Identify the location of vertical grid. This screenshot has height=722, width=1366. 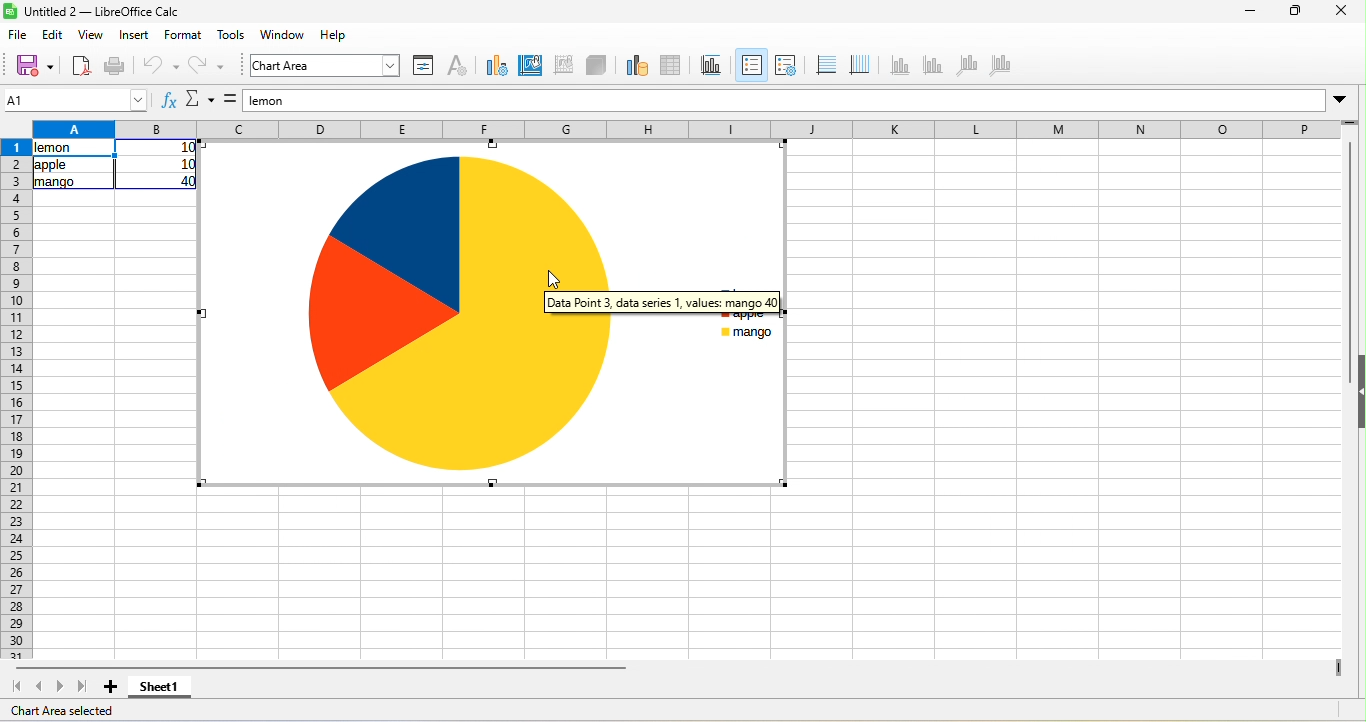
(864, 67).